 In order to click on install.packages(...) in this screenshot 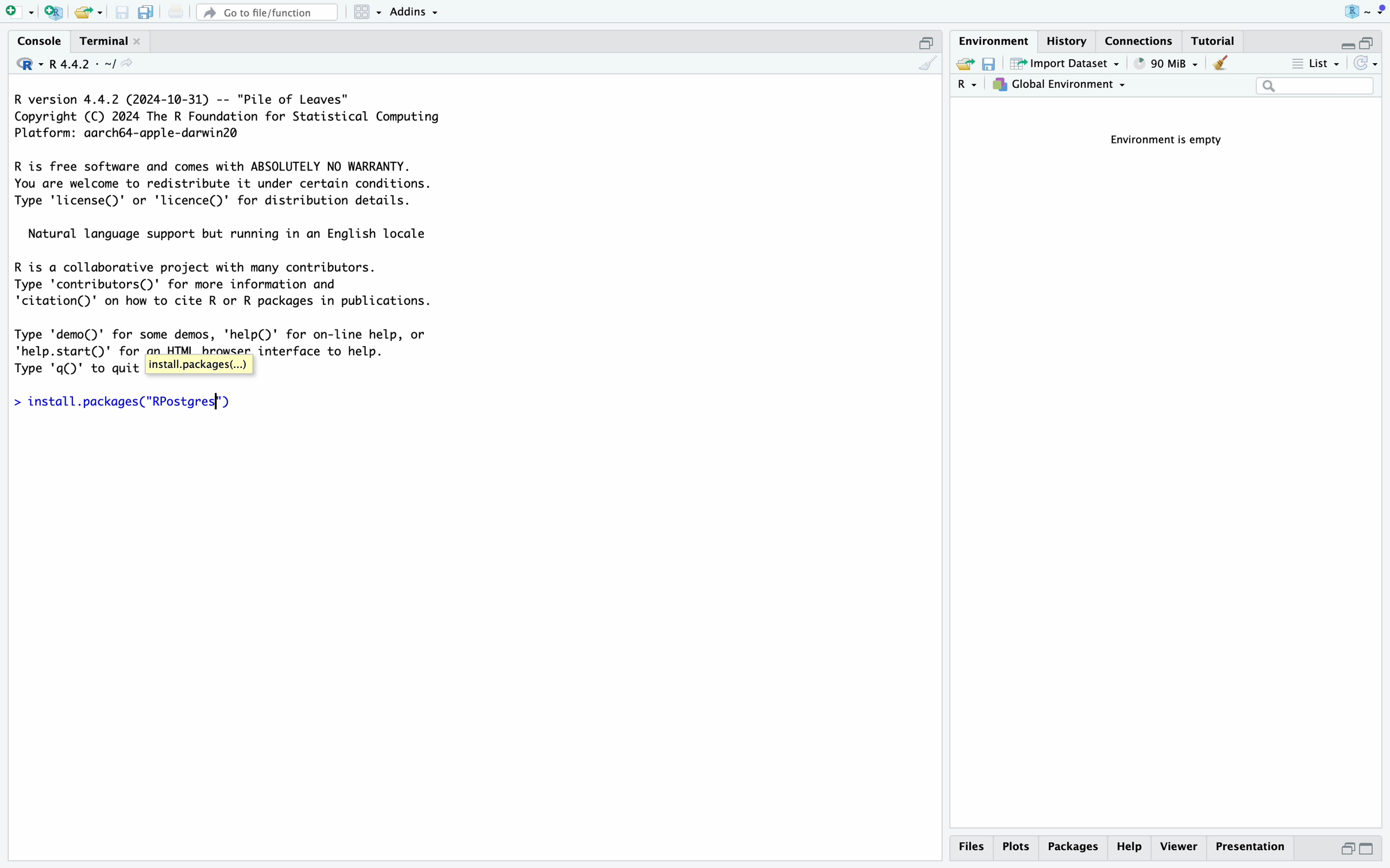, I will do `click(199, 364)`.